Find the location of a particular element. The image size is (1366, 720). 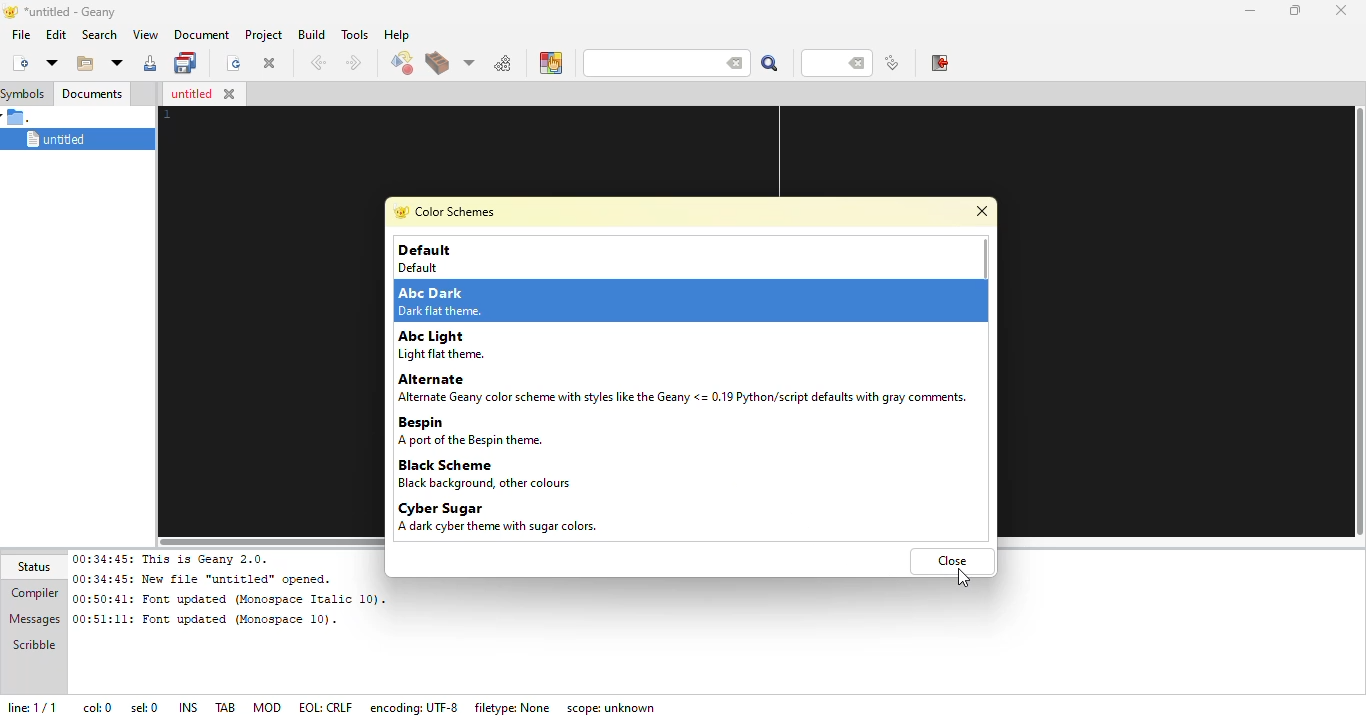

back space is located at coordinates (859, 64).